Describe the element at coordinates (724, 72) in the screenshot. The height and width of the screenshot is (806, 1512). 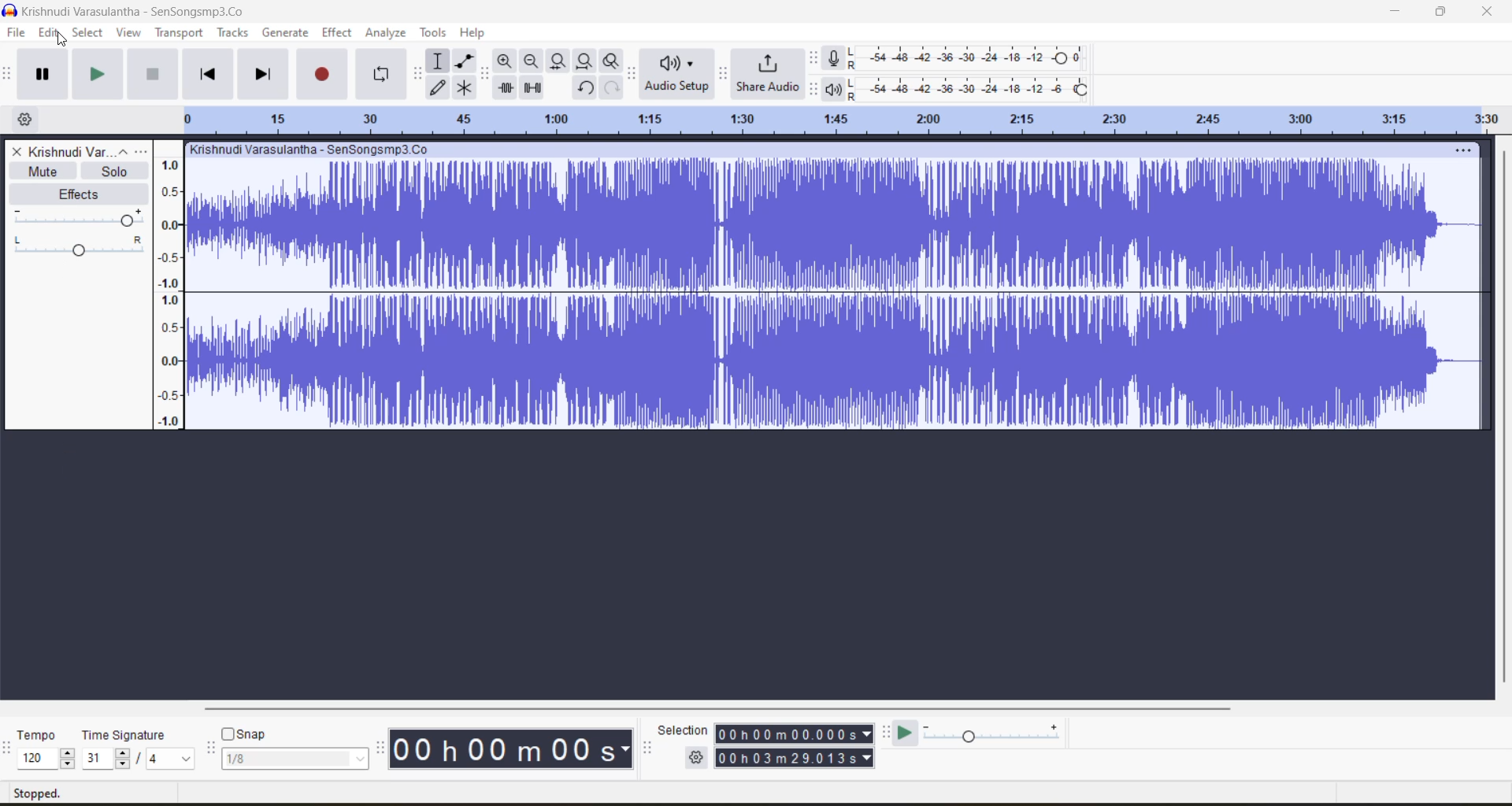
I see `share audio toolbar` at that location.